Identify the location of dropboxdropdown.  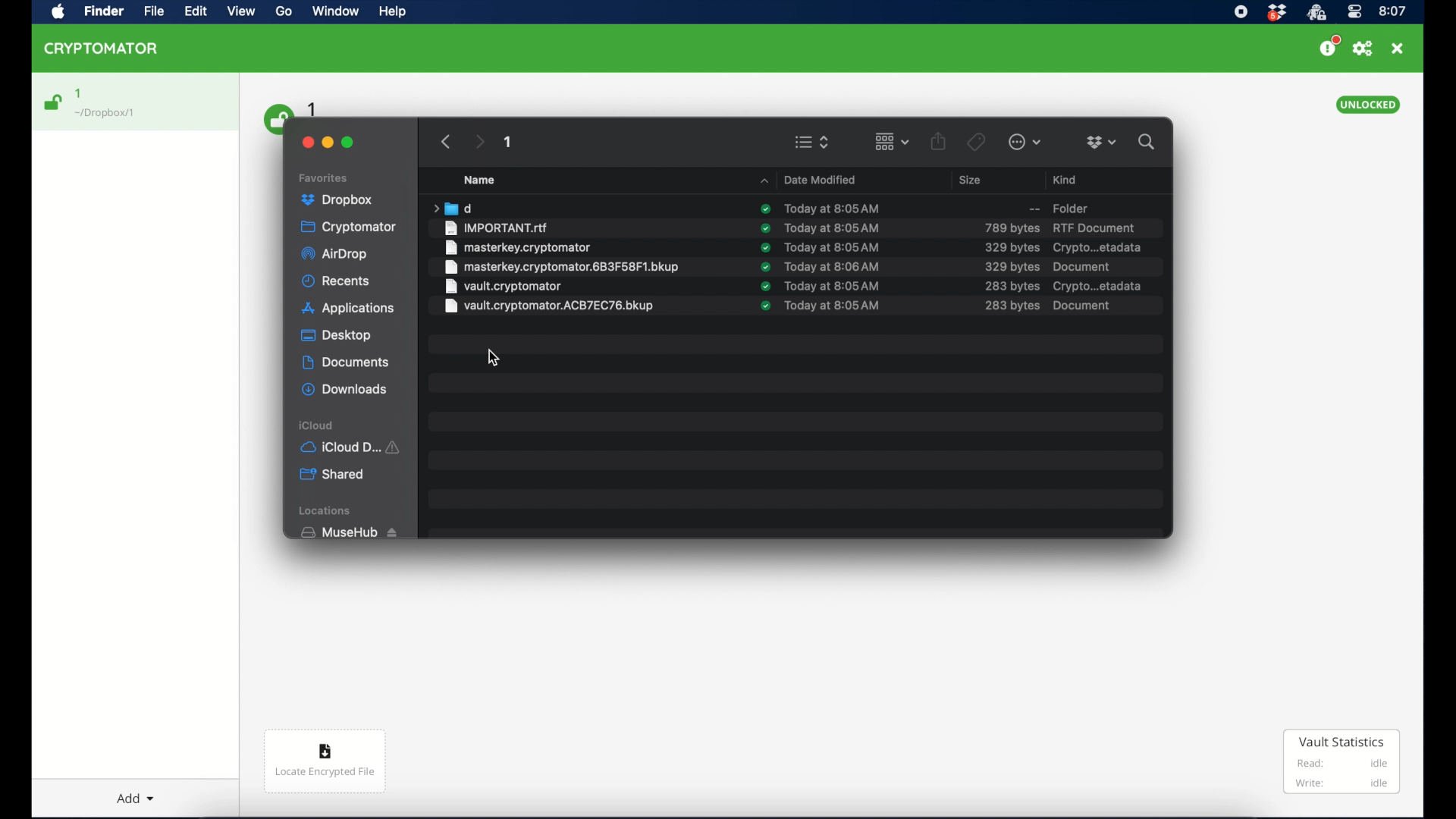
(1101, 143).